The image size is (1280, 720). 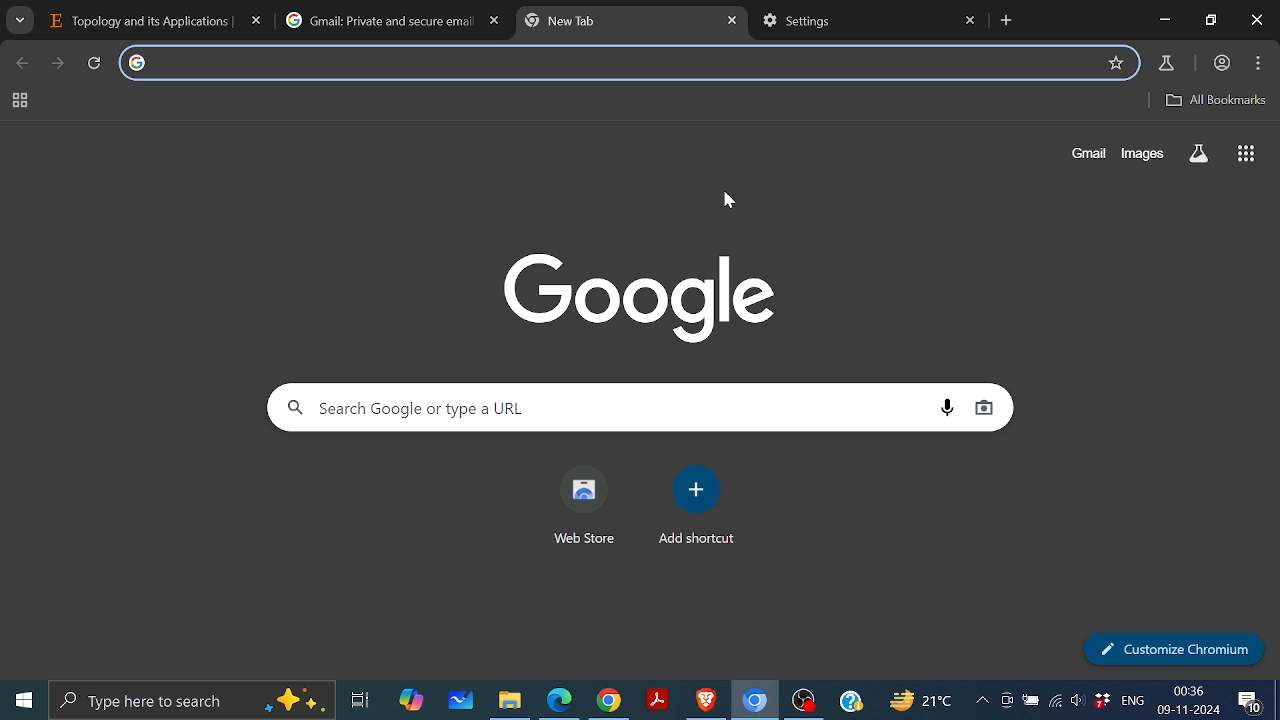 What do you see at coordinates (1247, 153) in the screenshot?
I see `Apps` at bounding box center [1247, 153].